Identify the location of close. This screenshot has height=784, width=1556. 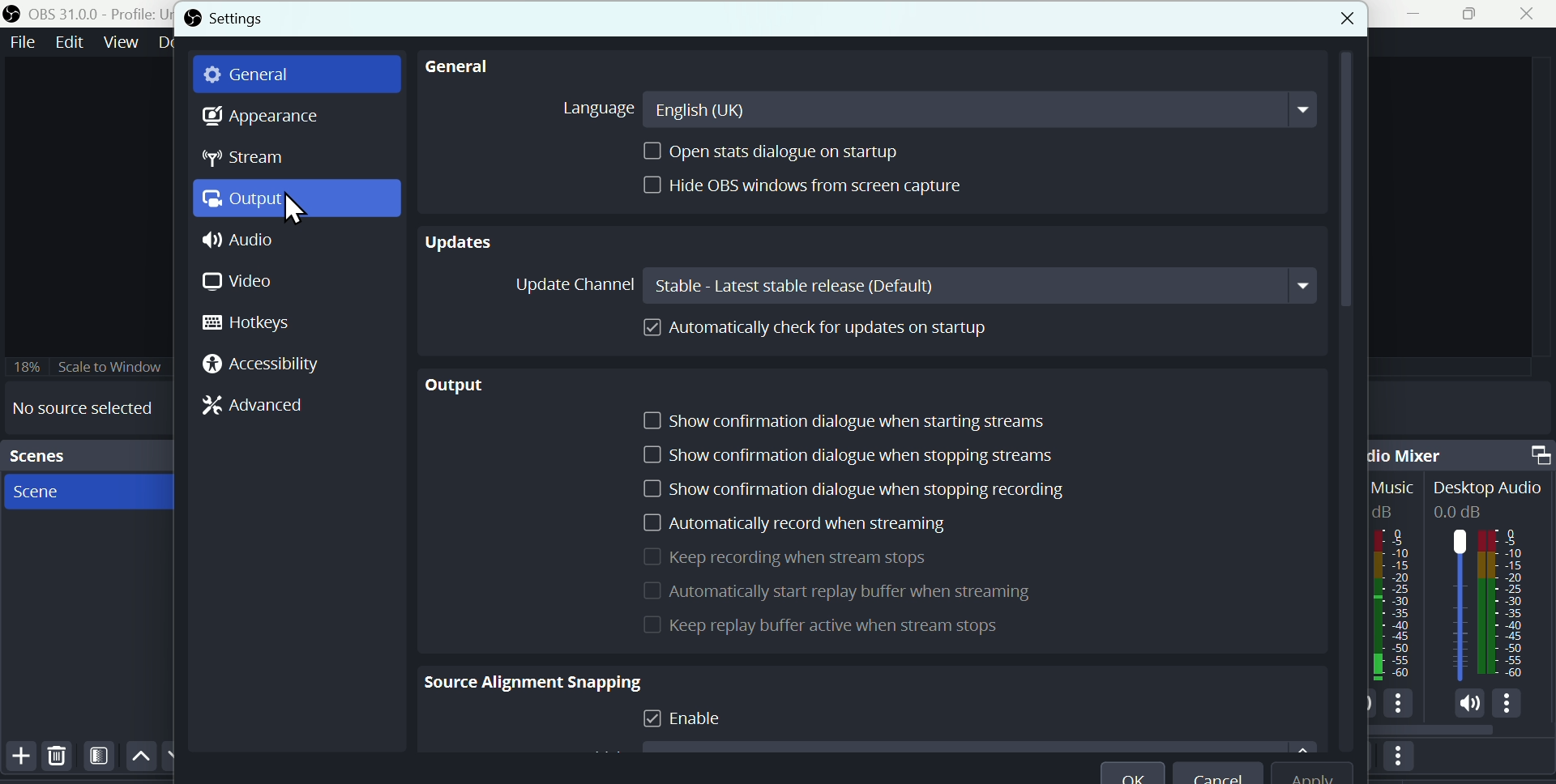
(1335, 20).